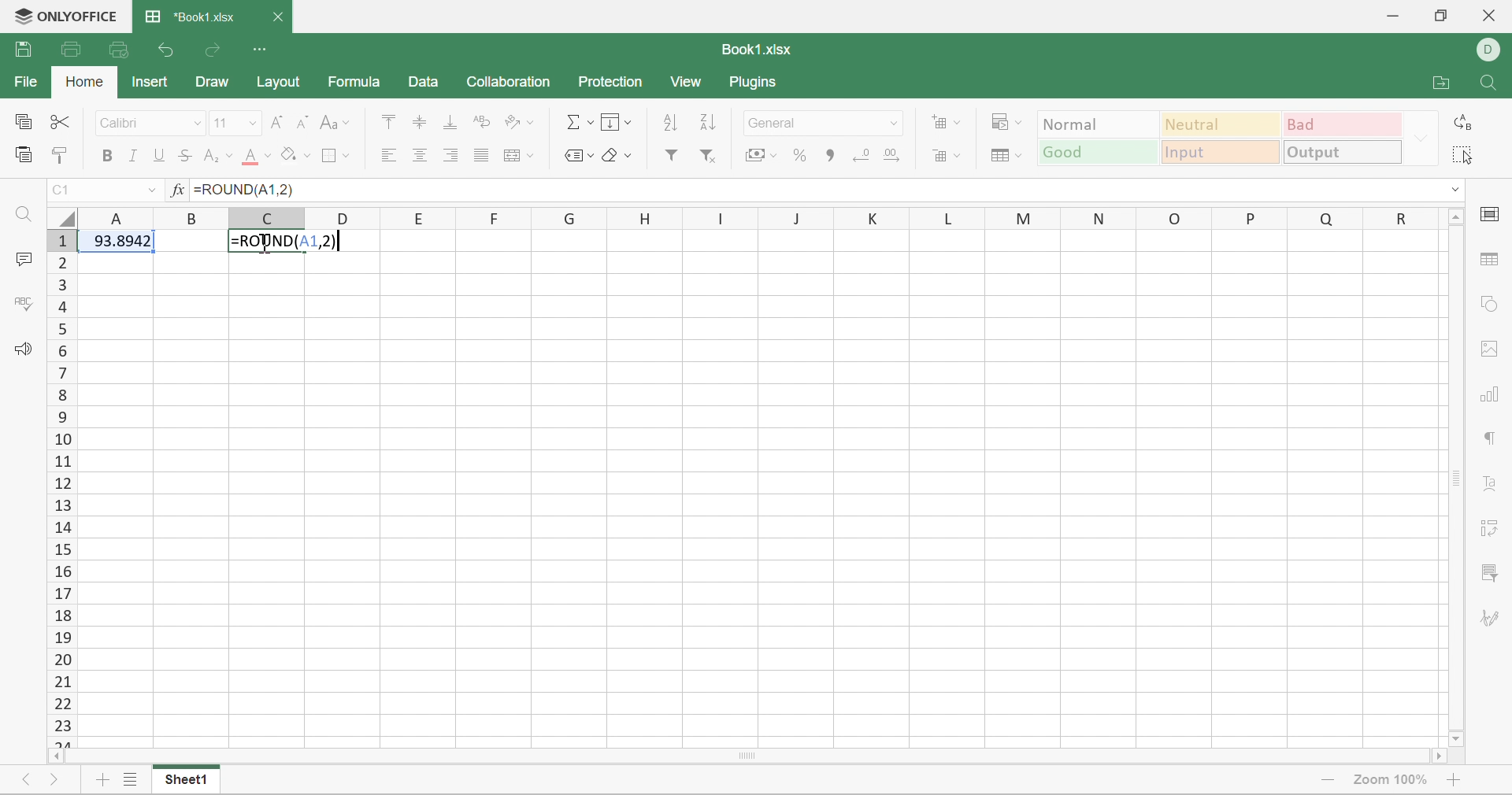 This screenshot has width=1512, height=795. I want to click on Insert, so click(150, 81).